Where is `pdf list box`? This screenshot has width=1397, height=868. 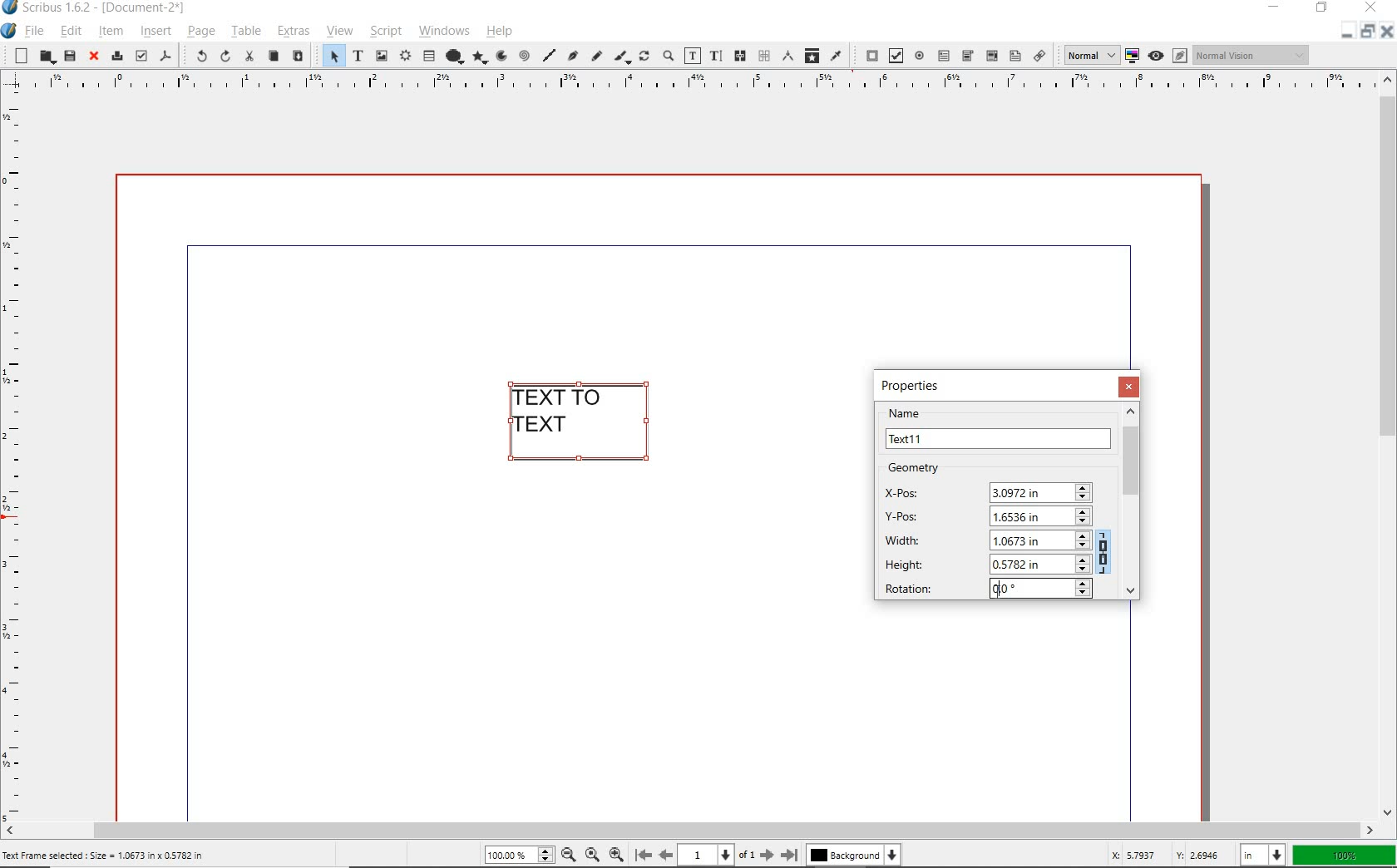 pdf list box is located at coordinates (1014, 57).